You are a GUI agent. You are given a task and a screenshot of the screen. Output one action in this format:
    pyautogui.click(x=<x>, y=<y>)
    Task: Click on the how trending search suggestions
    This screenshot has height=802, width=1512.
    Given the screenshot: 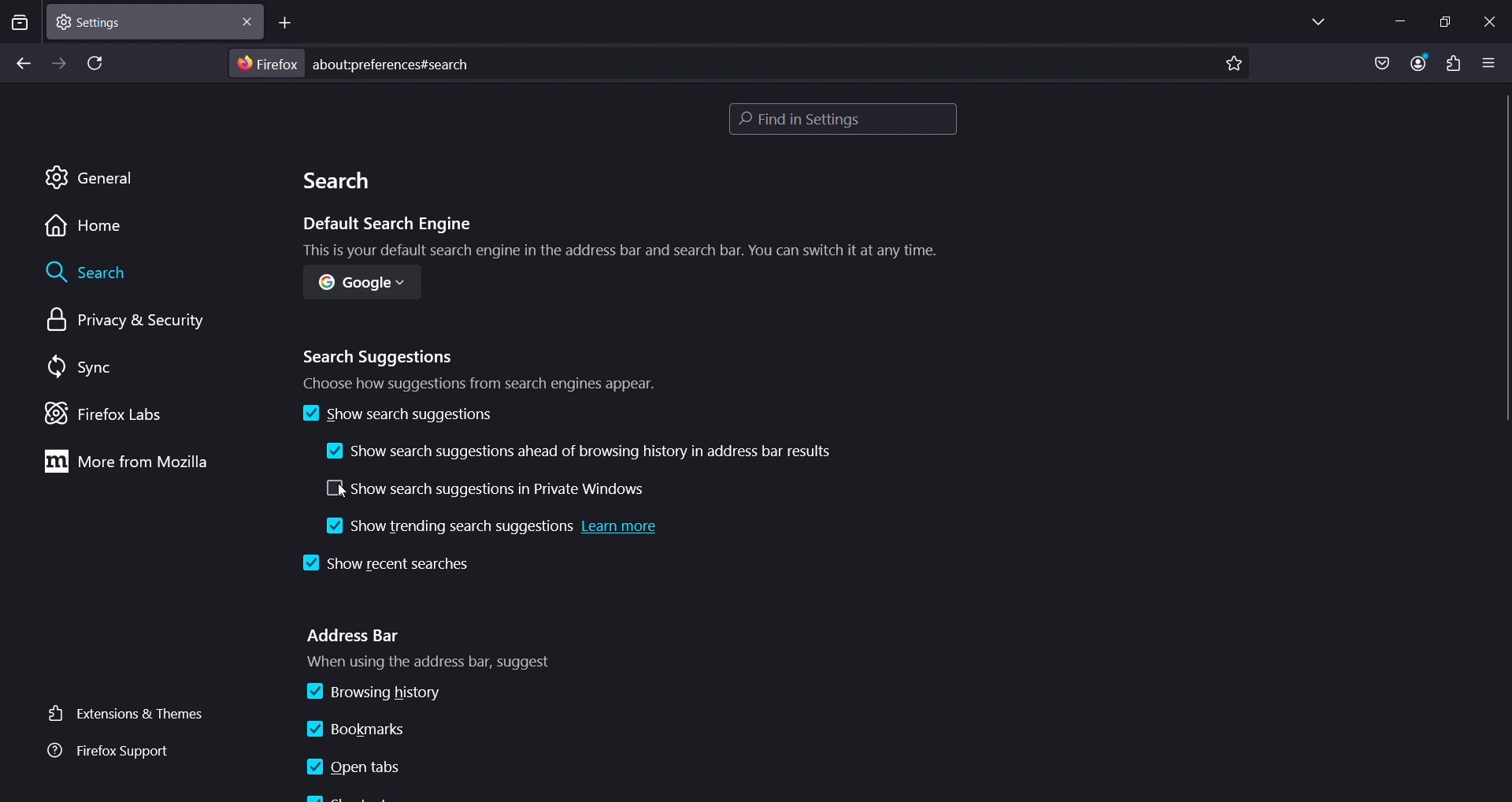 What is the action you would take?
    pyautogui.click(x=495, y=530)
    